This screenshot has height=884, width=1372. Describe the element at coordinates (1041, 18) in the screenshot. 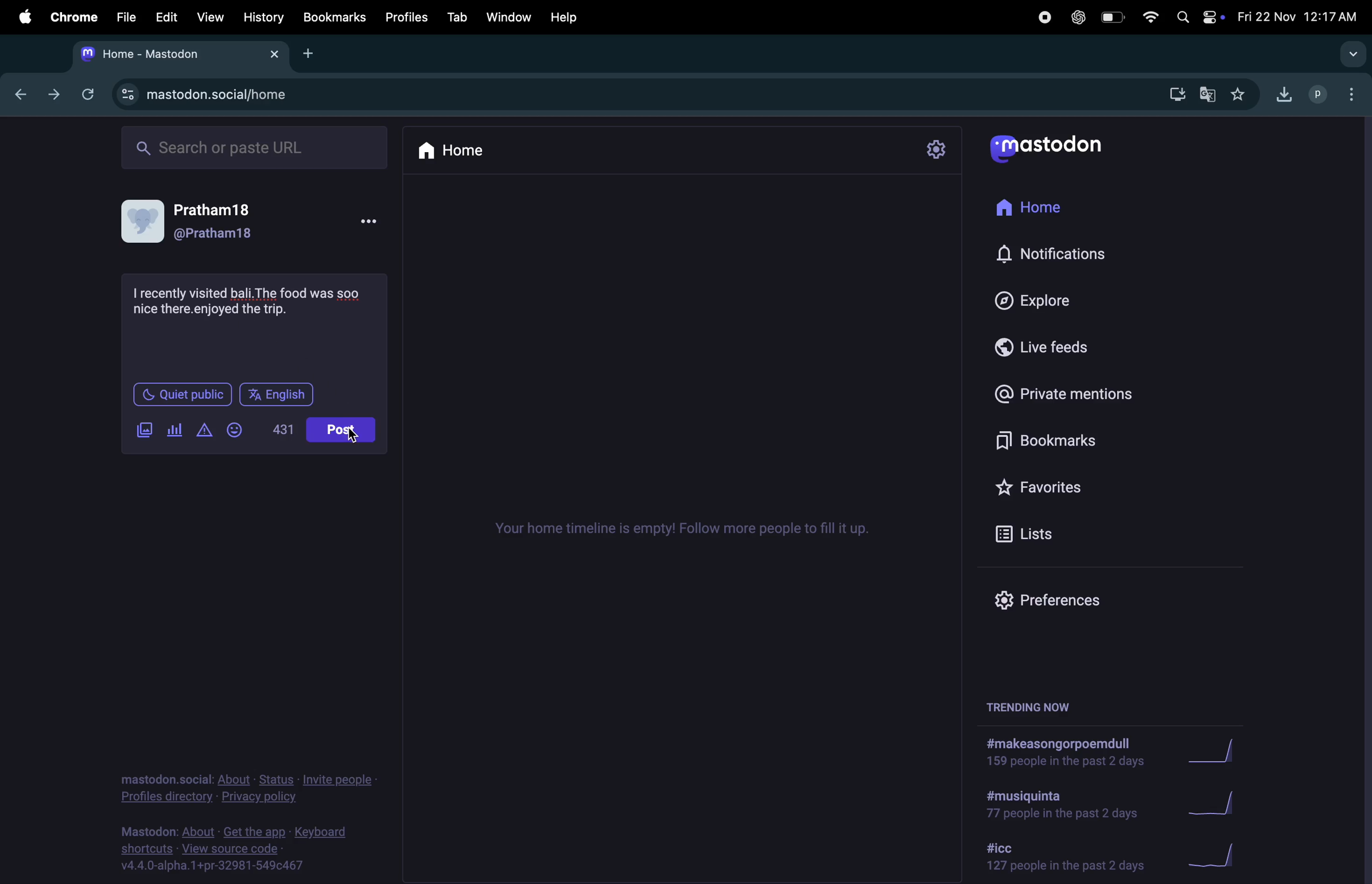

I see `record` at that location.